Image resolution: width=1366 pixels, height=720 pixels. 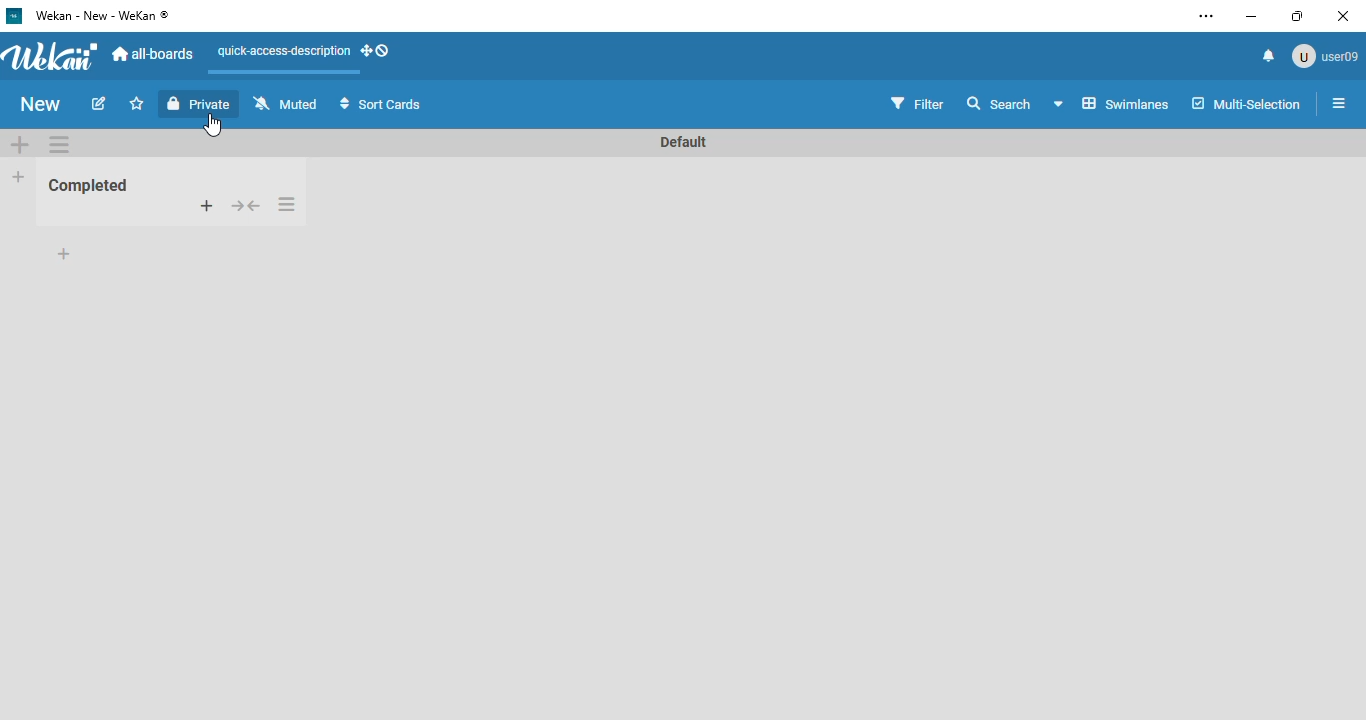 What do you see at coordinates (60, 144) in the screenshot?
I see `swimlane actions` at bounding box center [60, 144].